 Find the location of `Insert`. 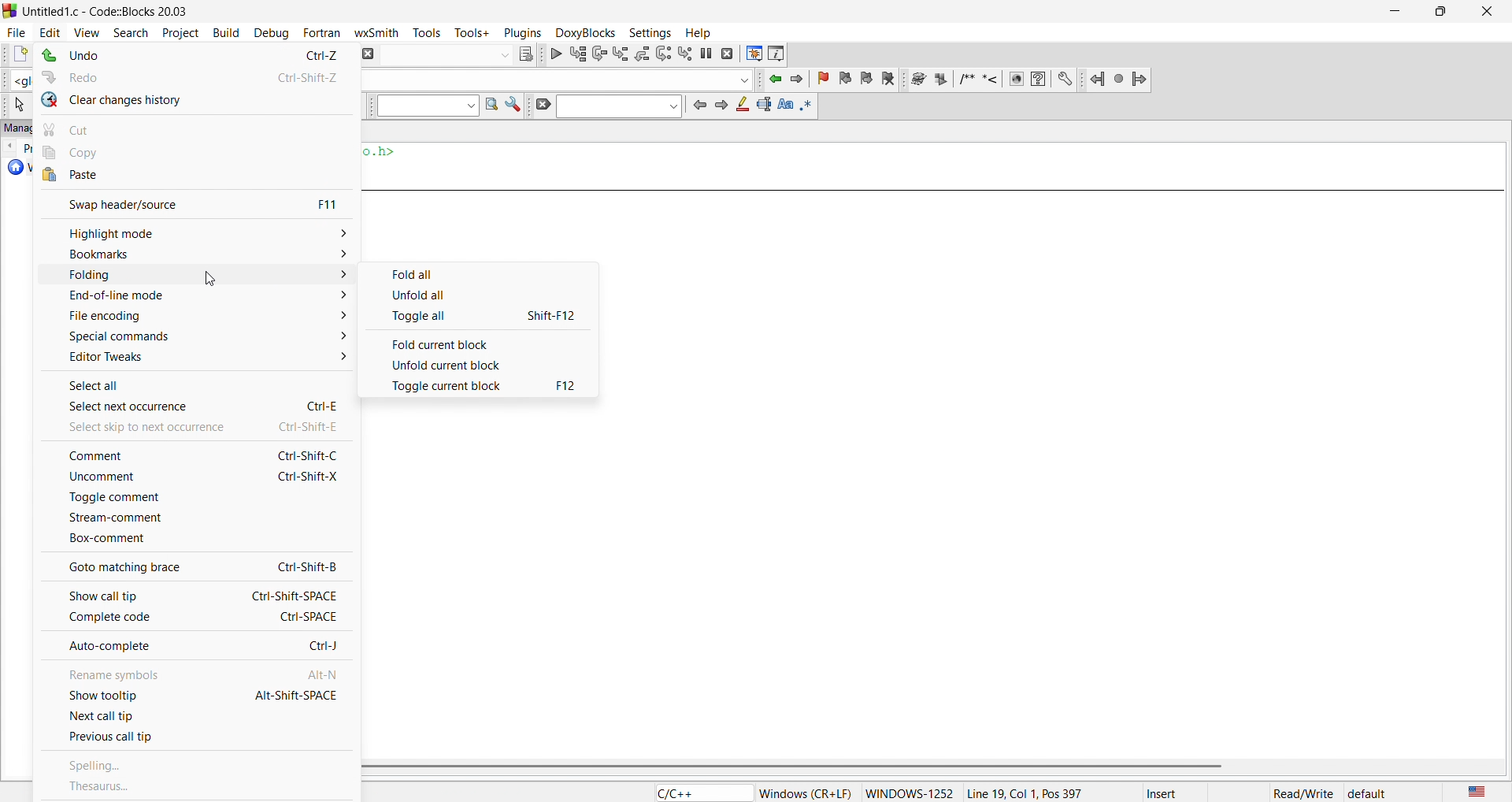

Insert is located at coordinates (1176, 793).